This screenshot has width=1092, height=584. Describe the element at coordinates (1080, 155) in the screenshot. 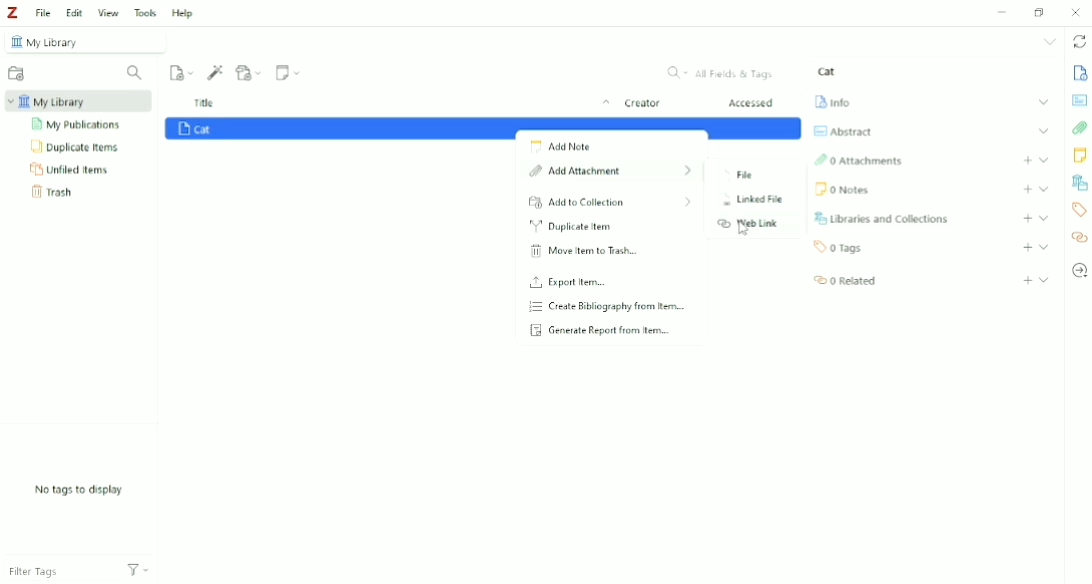

I see `Notes` at that location.